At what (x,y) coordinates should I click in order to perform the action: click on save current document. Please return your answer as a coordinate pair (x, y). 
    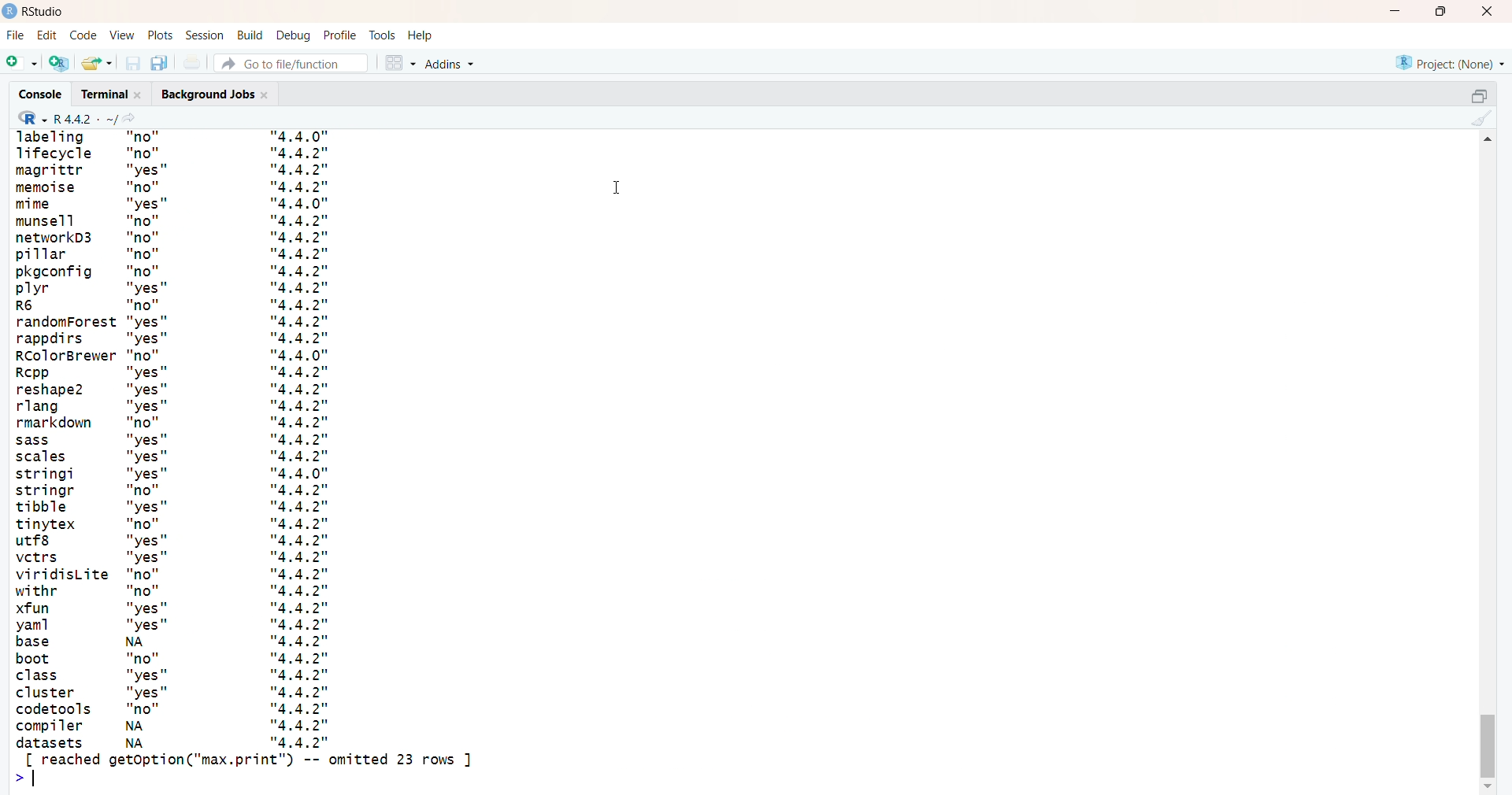
    Looking at the image, I should click on (133, 65).